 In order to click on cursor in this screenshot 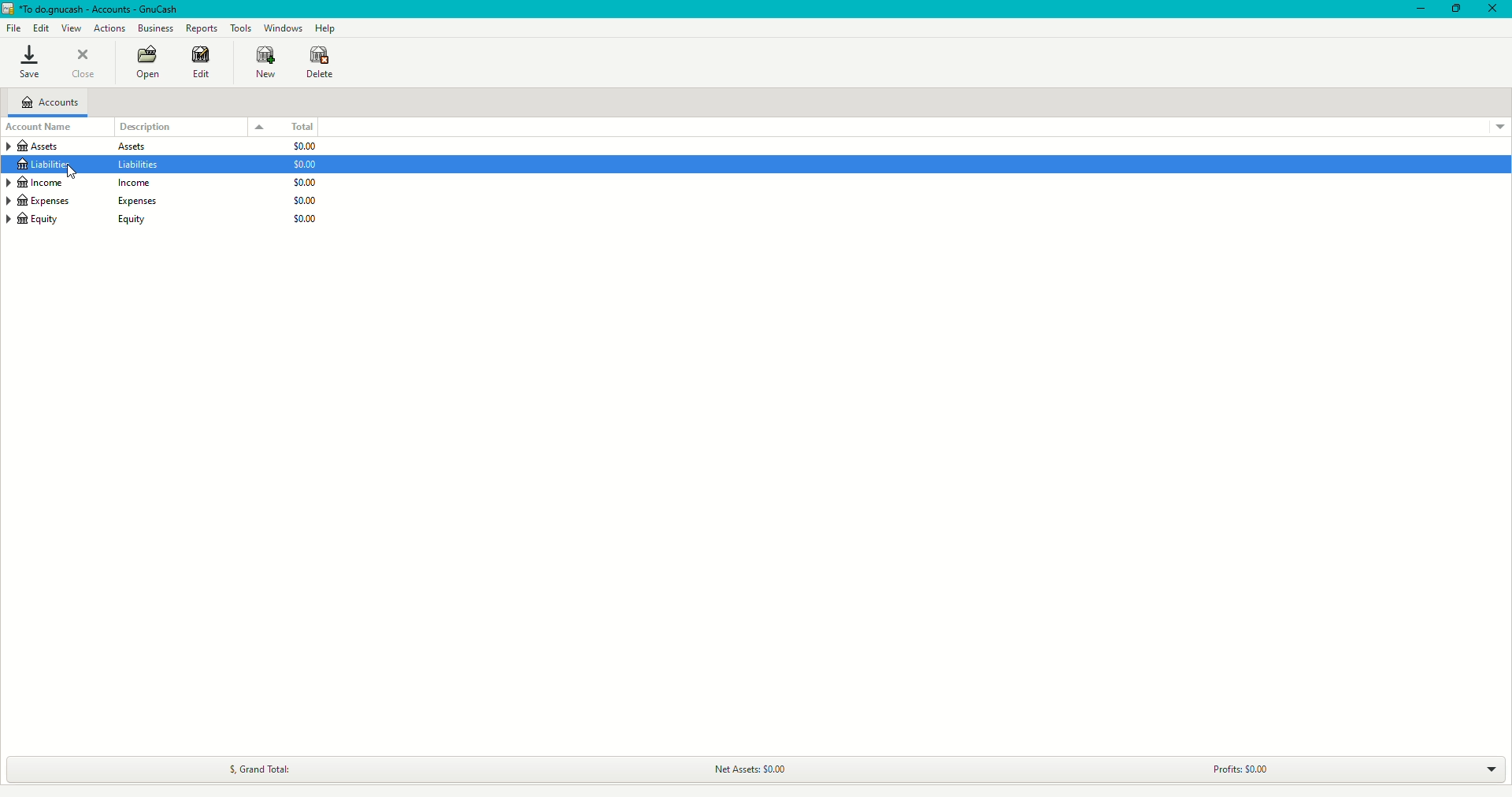, I will do `click(72, 172)`.